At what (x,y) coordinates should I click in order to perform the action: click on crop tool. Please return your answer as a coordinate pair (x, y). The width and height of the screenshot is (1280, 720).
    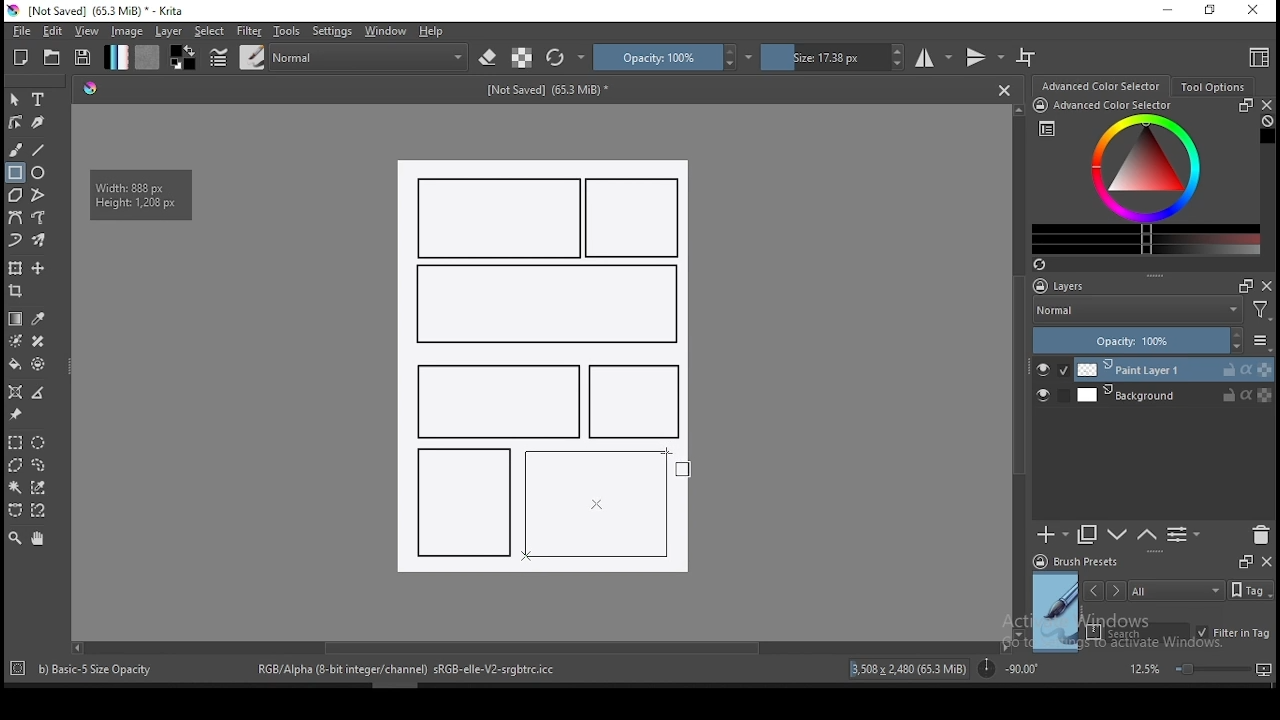
    Looking at the image, I should click on (18, 293).